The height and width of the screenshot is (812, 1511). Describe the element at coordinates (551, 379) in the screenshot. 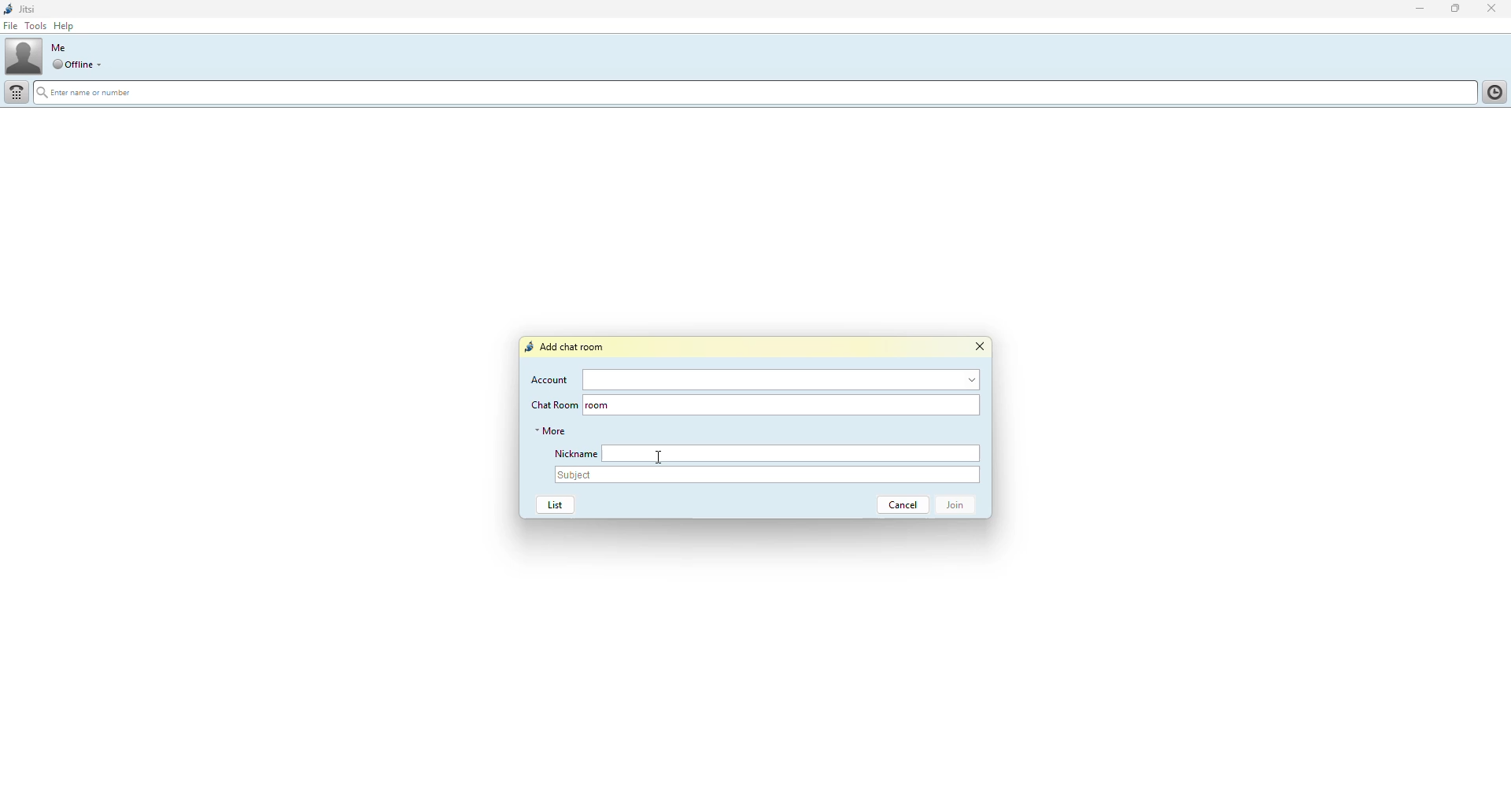

I see `account` at that location.